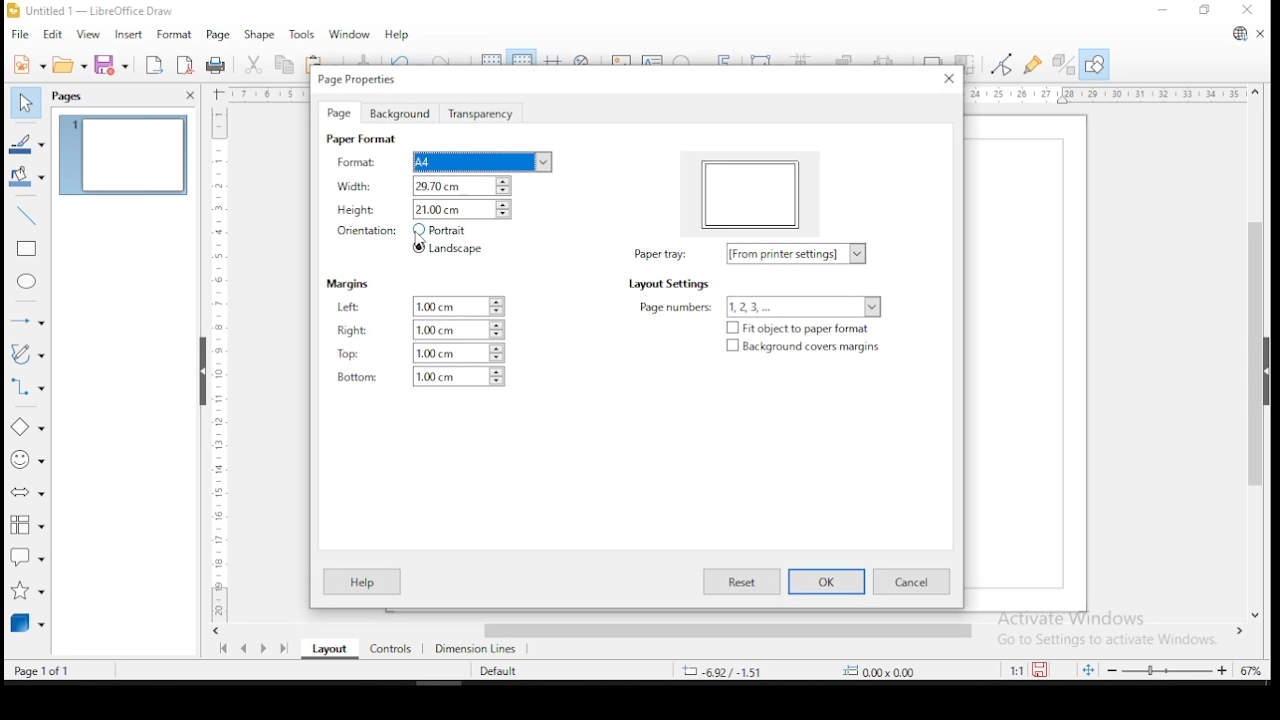  What do you see at coordinates (328, 650) in the screenshot?
I see `layout` at bounding box center [328, 650].